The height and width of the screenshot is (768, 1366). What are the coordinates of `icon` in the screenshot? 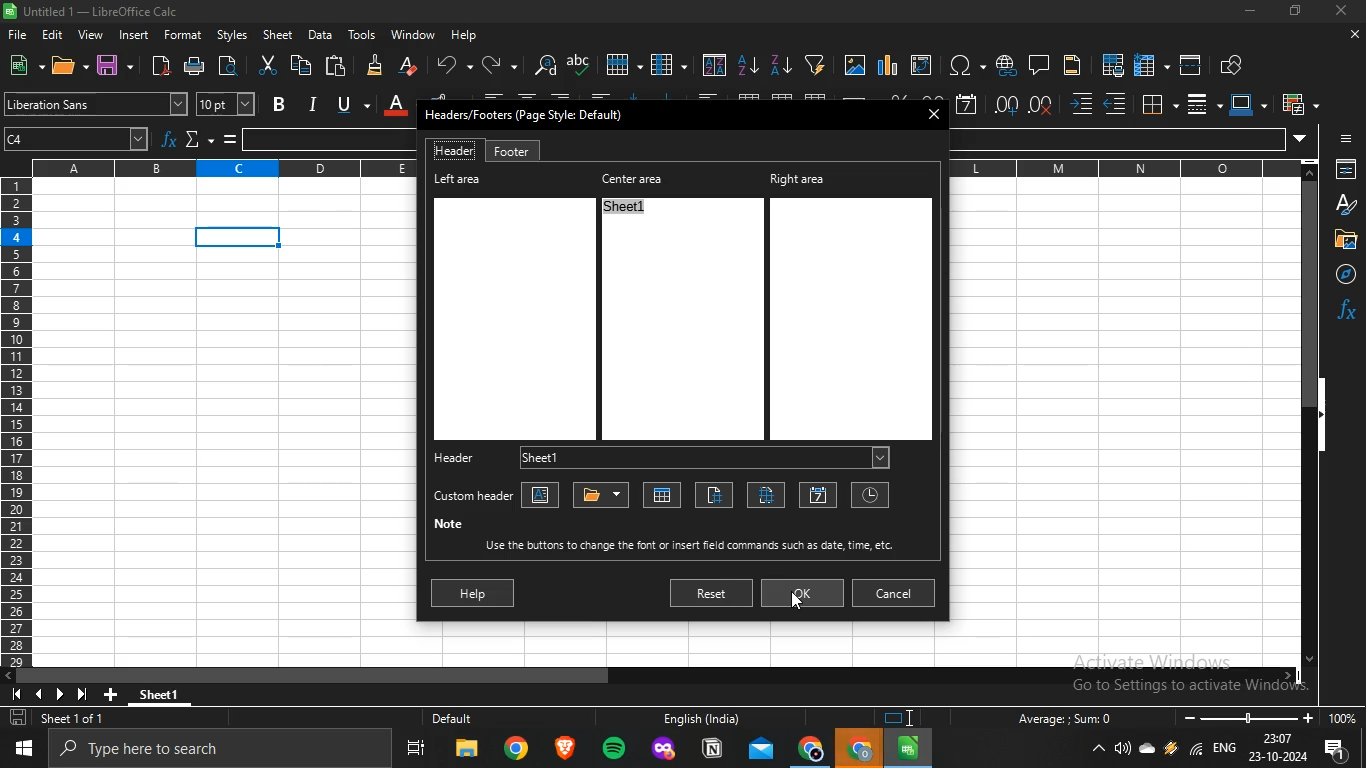 It's located at (903, 718).